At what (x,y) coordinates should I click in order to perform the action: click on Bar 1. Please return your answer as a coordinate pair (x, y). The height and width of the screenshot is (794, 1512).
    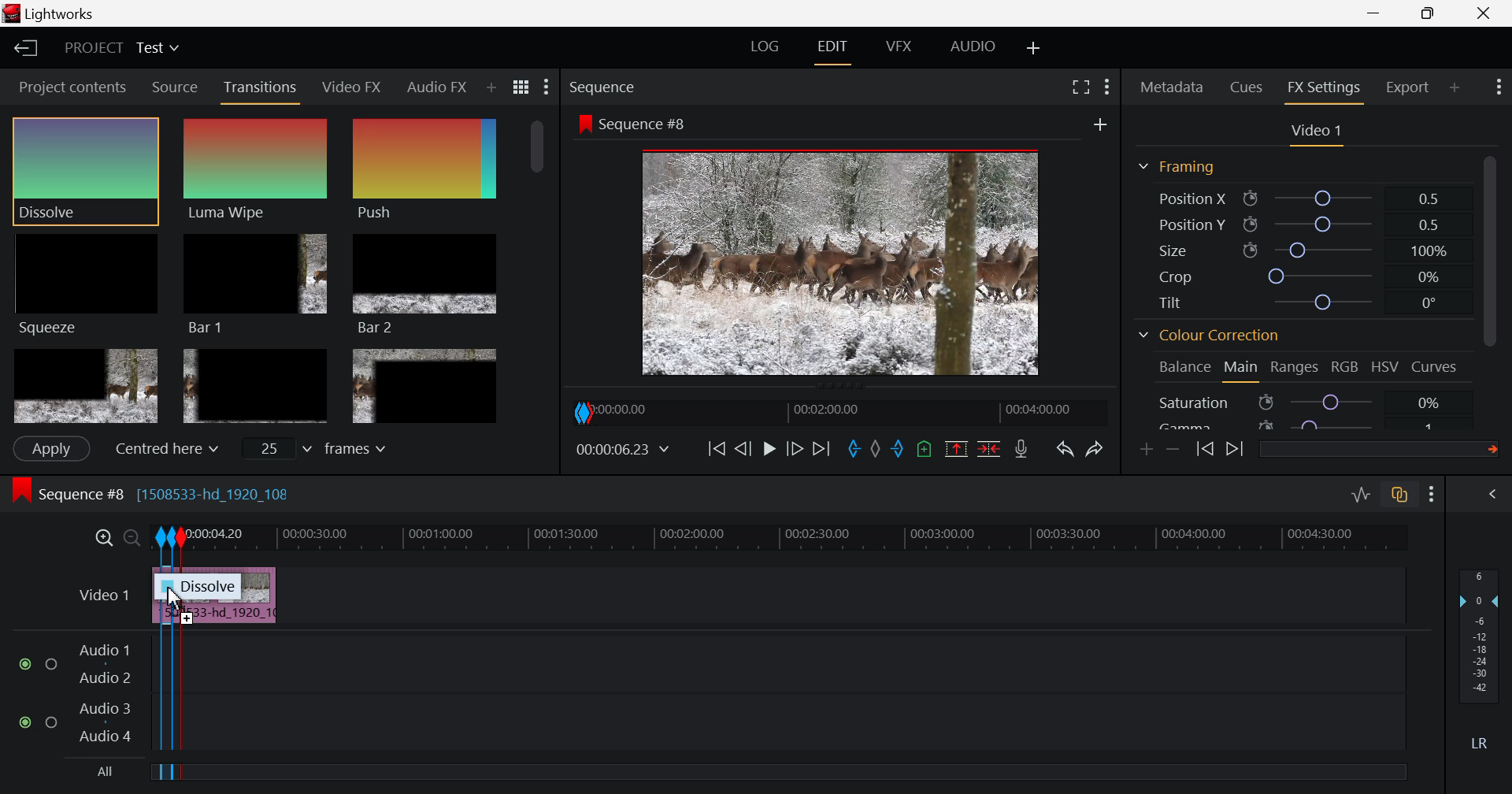
    Looking at the image, I should click on (255, 285).